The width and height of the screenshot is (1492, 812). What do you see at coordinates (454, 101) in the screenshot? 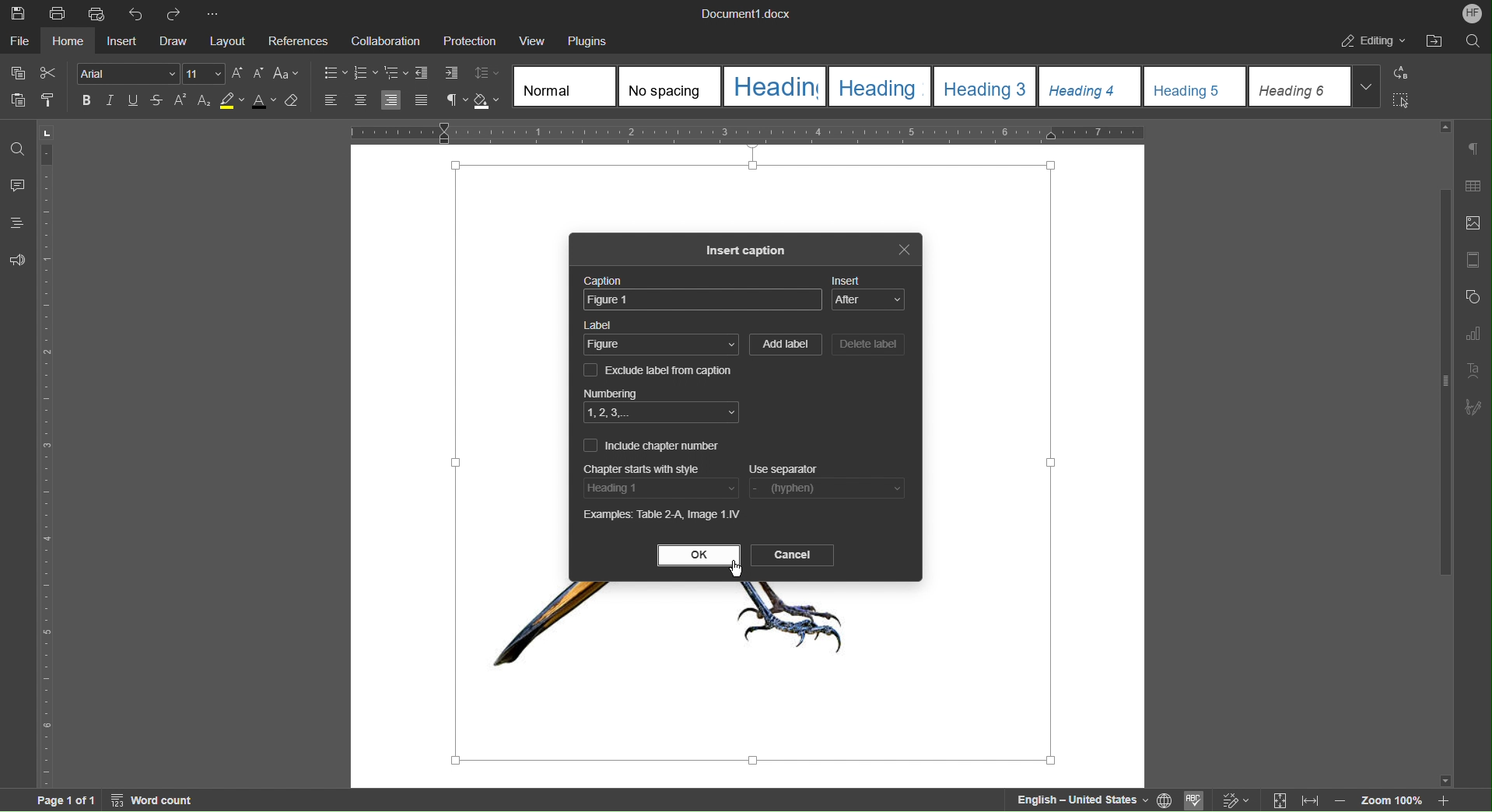
I see `Non-Printing Characters` at bounding box center [454, 101].